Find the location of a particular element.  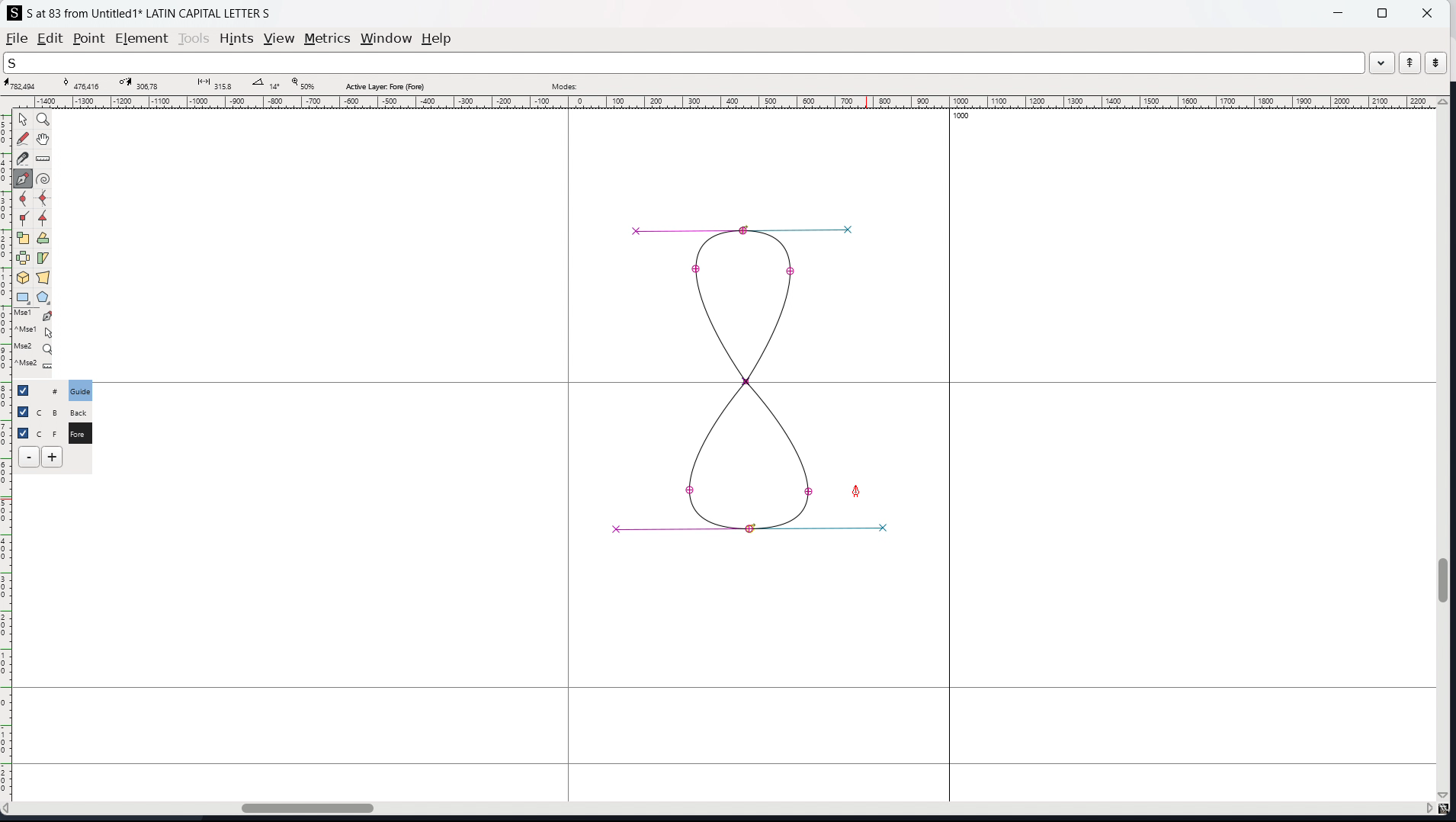

checkbox is located at coordinates (27, 390).